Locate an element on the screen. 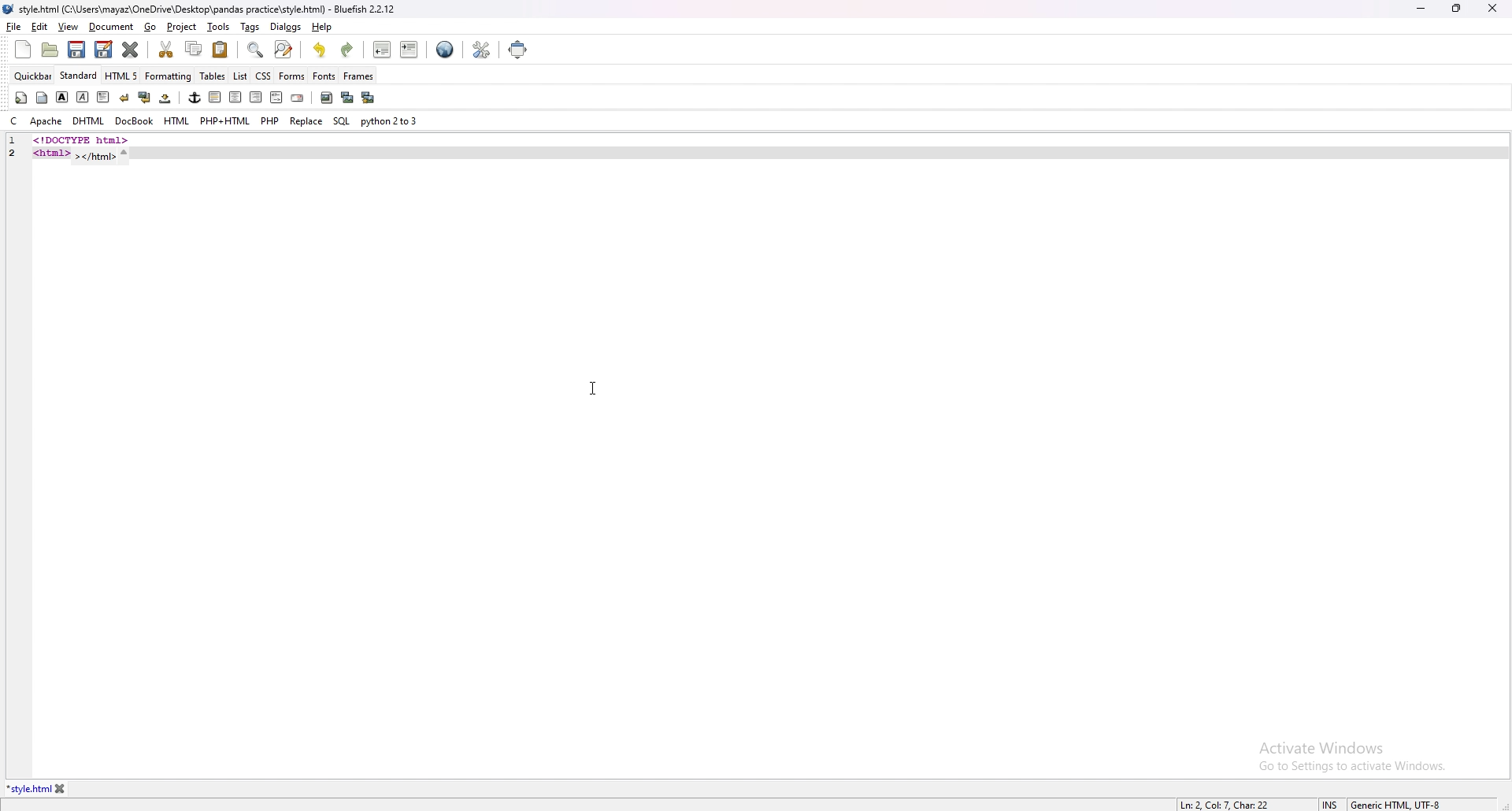 This screenshot has height=811, width=1512. body is located at coordinates (43, 96).